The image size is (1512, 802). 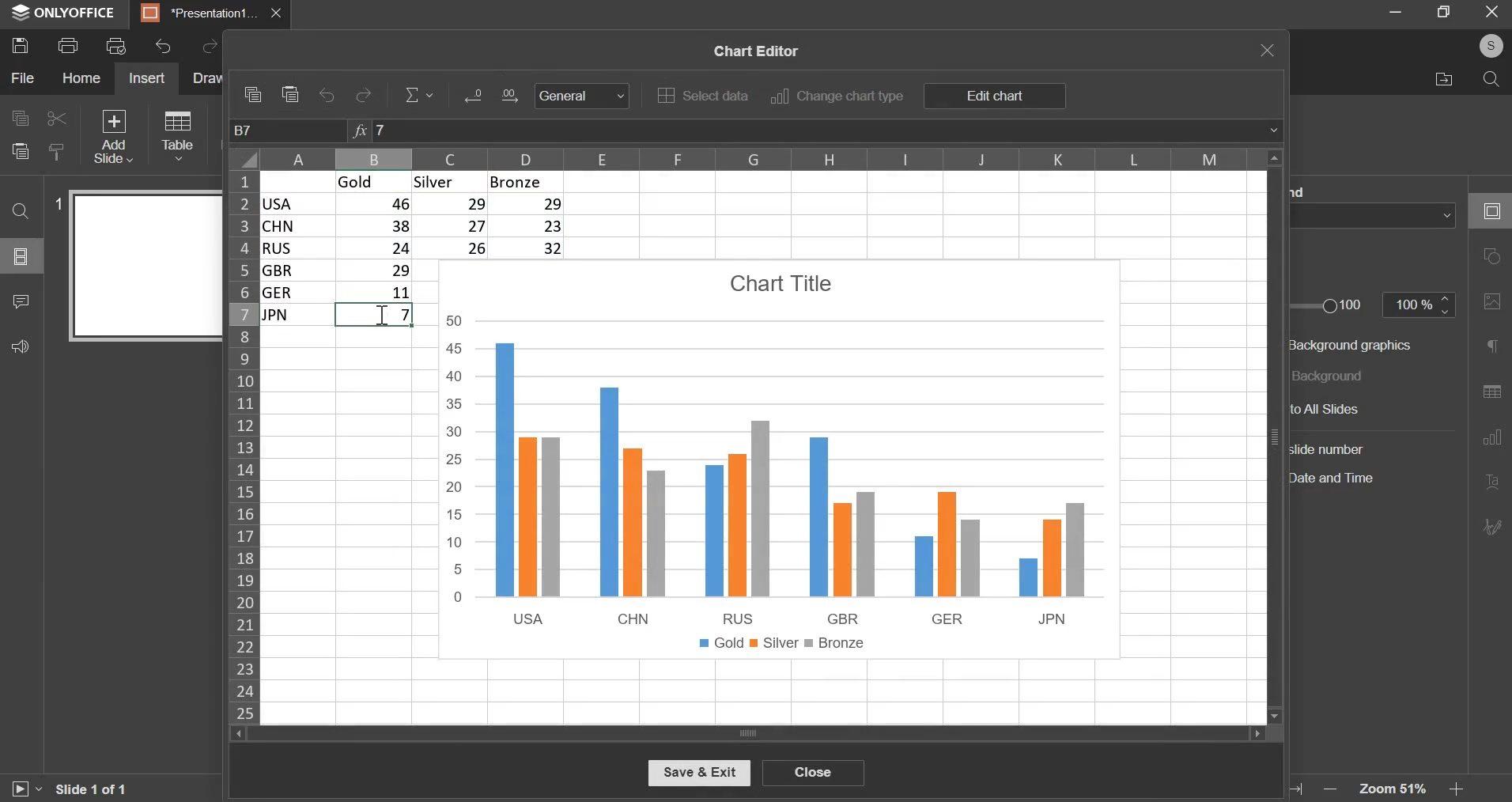 I want to click on signature, so click(x=1492, y=527).